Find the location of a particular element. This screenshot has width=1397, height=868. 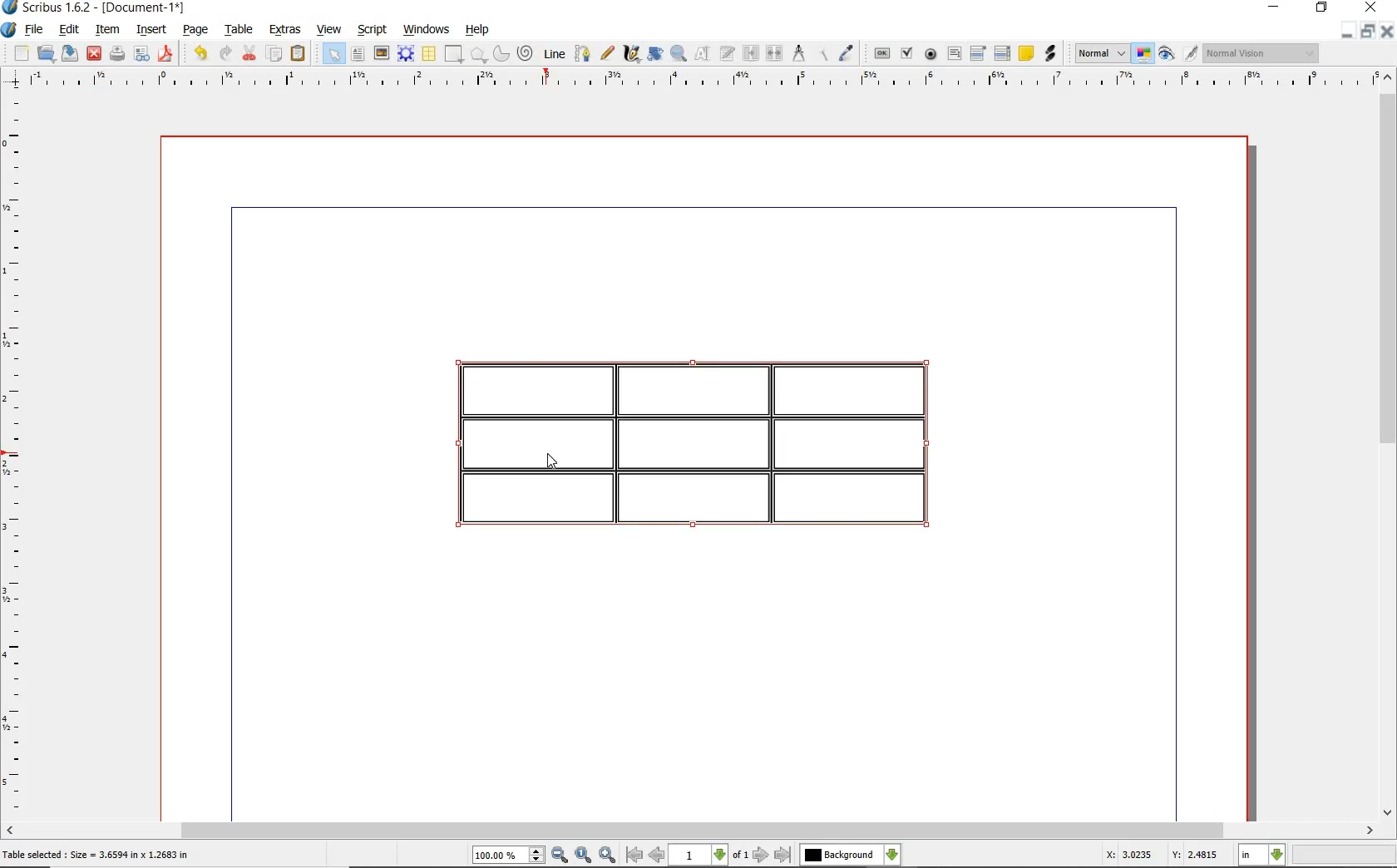

pdf list box is located at coordinates (1003, 53).